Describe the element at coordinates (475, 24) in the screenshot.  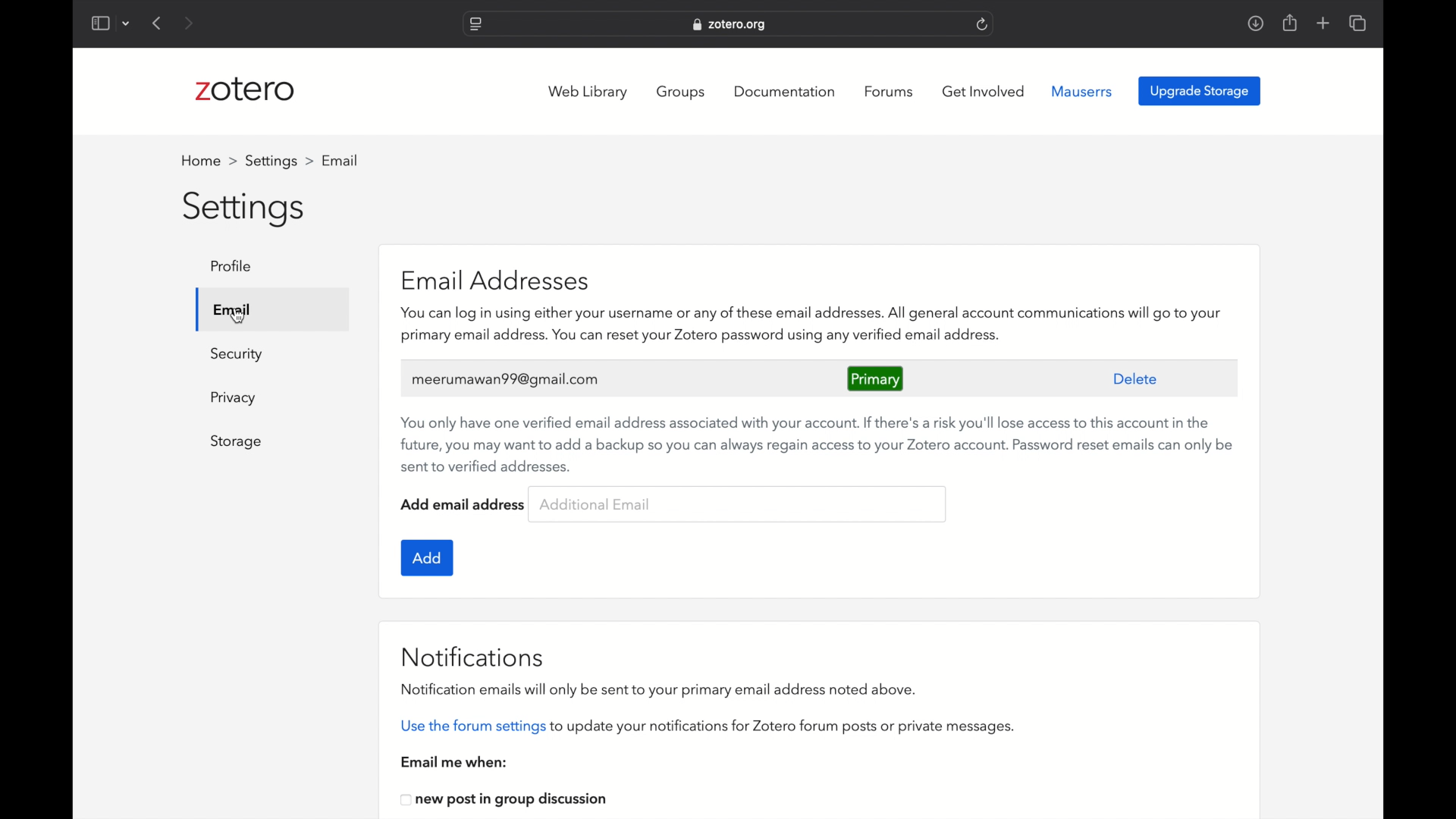
I see `website settings` at that location.